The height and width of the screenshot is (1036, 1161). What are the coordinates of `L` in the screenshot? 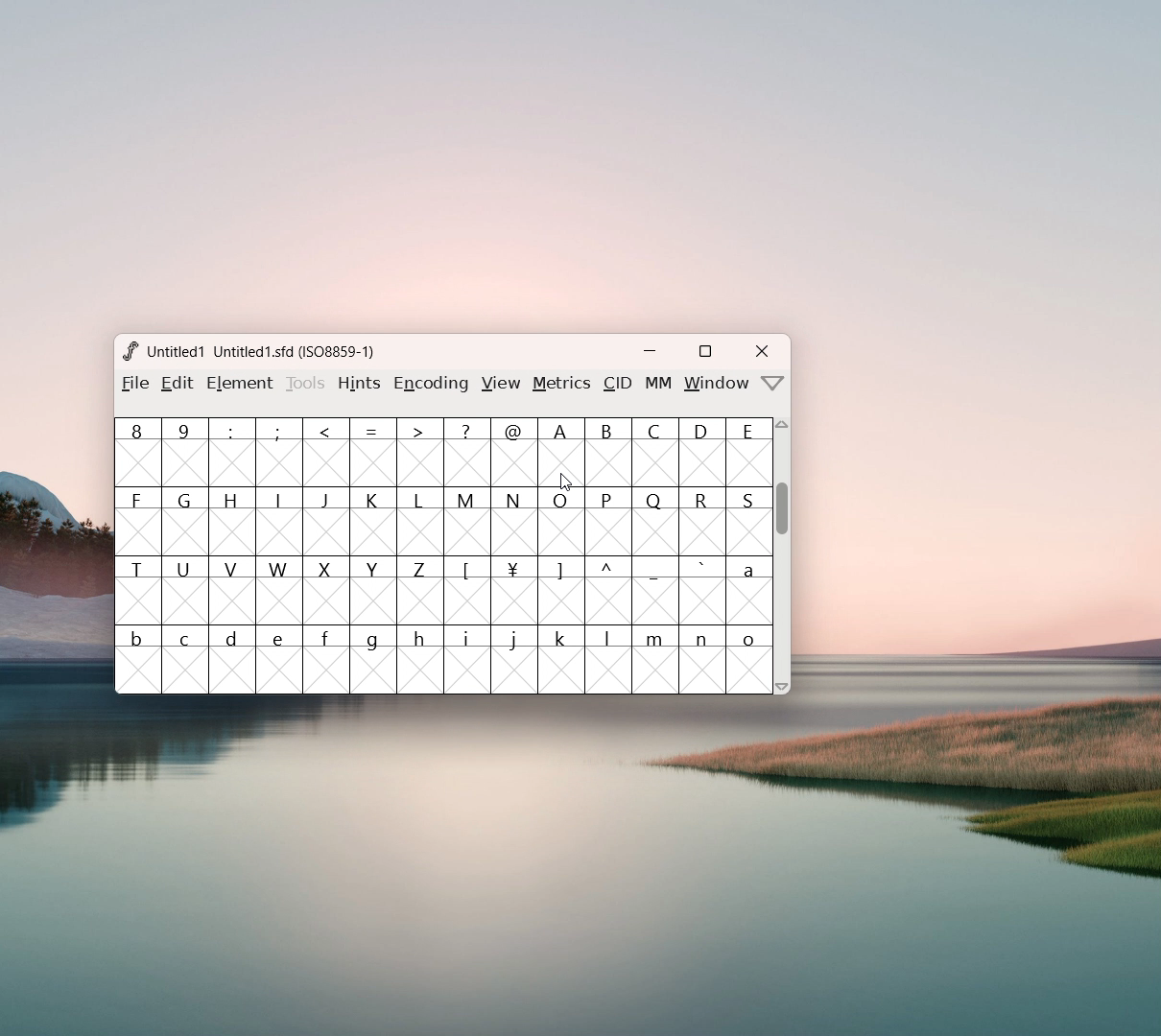 It's located at (421, 521).